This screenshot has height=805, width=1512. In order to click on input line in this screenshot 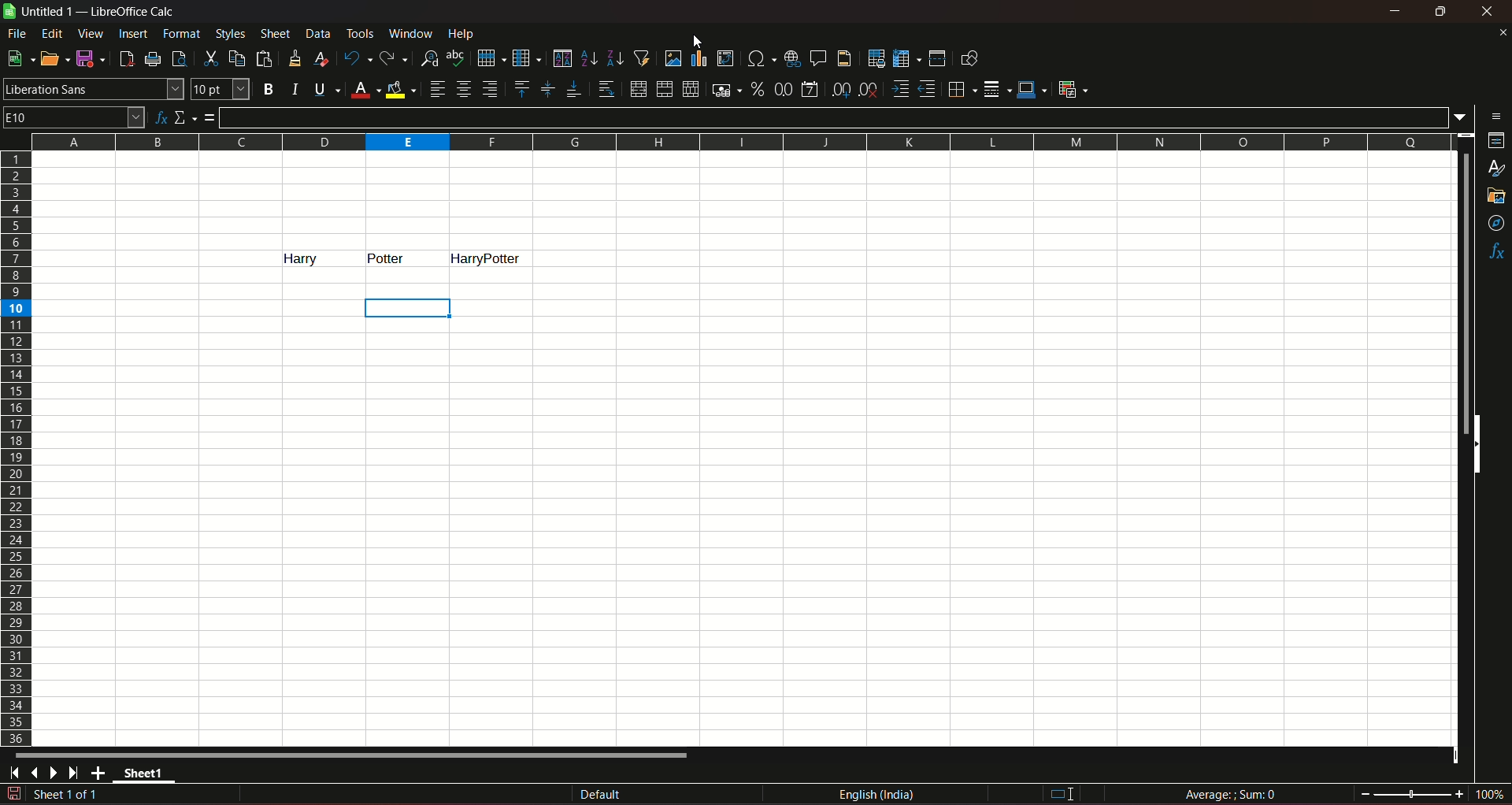, I will do `click(836, 117)`.